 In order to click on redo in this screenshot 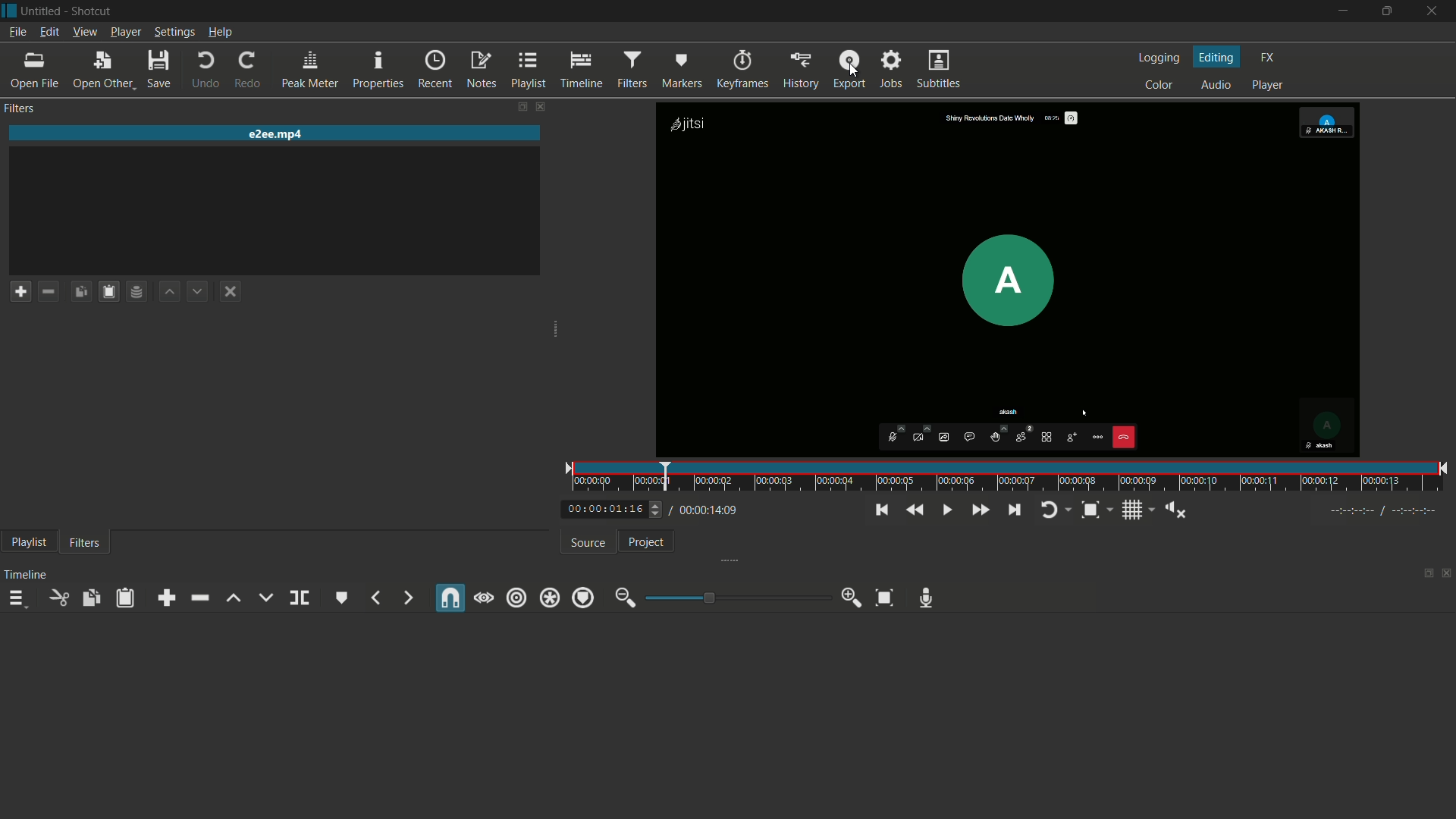, I will do `click(248, 70)`.